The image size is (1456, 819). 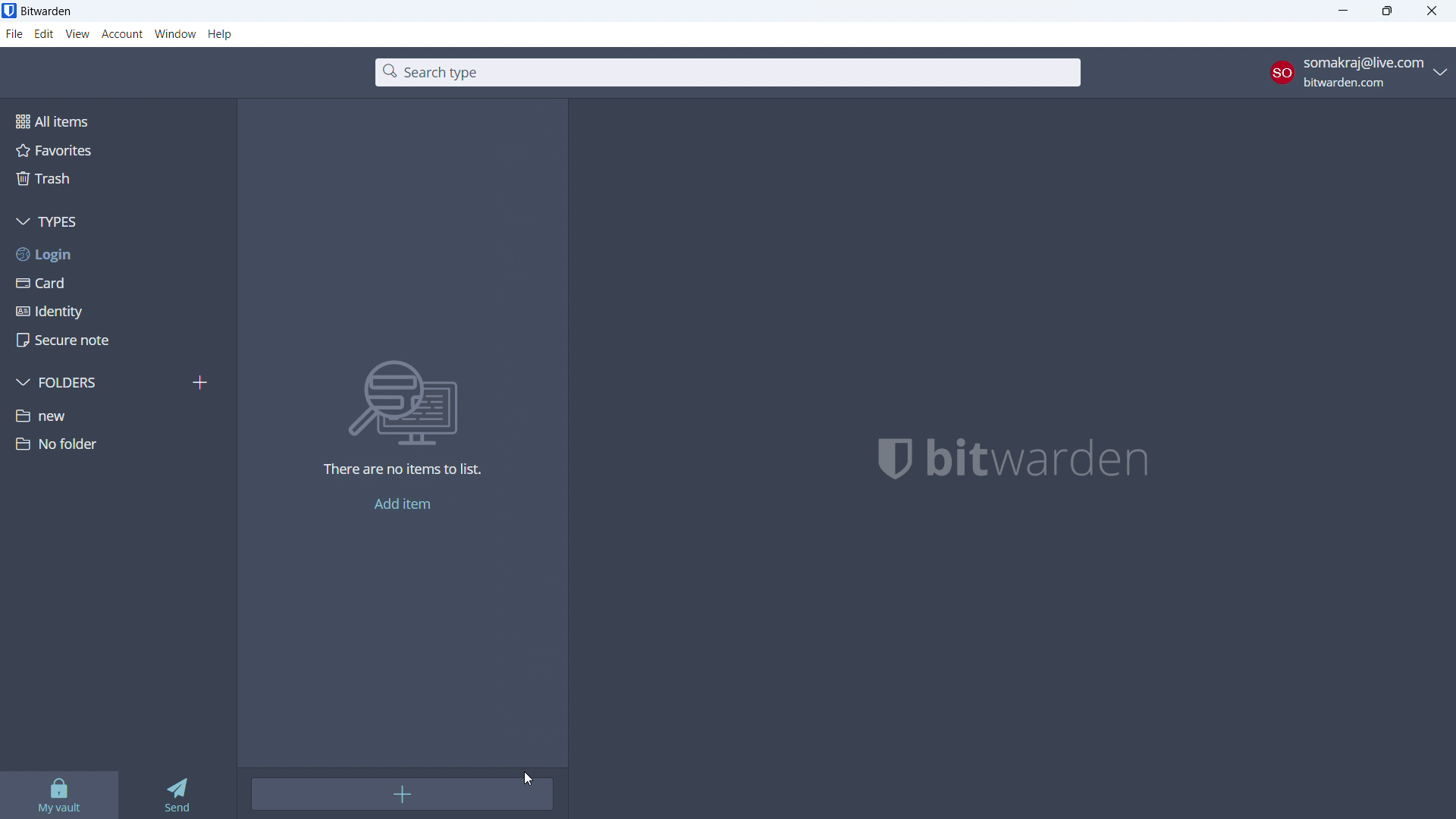 What do you see at coordinates (118, 312) in the screenshot?
I see `identity` at bounding box center [118, 312].